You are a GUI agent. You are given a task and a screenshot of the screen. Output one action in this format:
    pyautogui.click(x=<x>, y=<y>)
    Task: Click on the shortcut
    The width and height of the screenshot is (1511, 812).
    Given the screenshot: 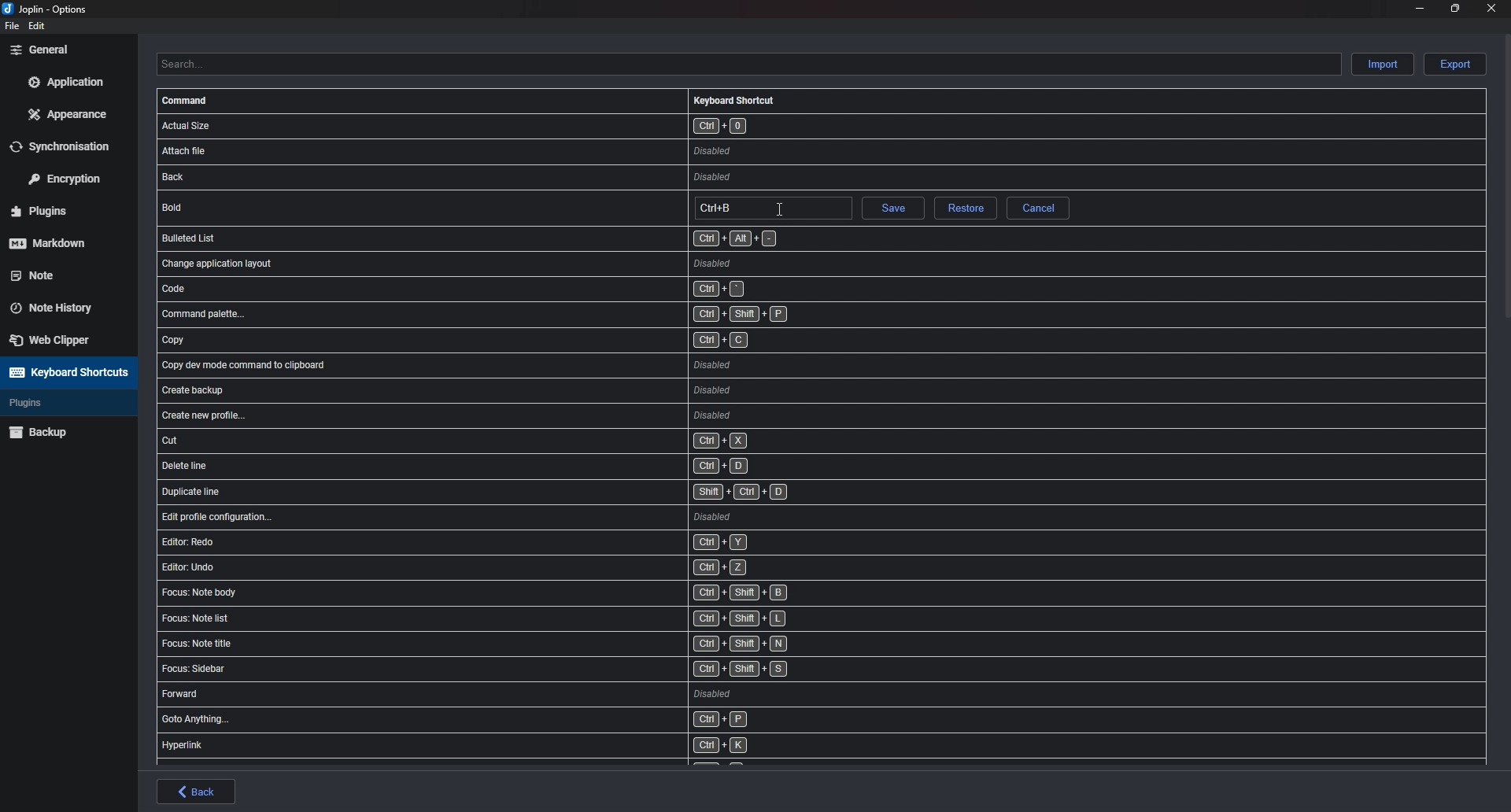 What is the action you would take?
    pyautogui.click(x=521, y=721)
    